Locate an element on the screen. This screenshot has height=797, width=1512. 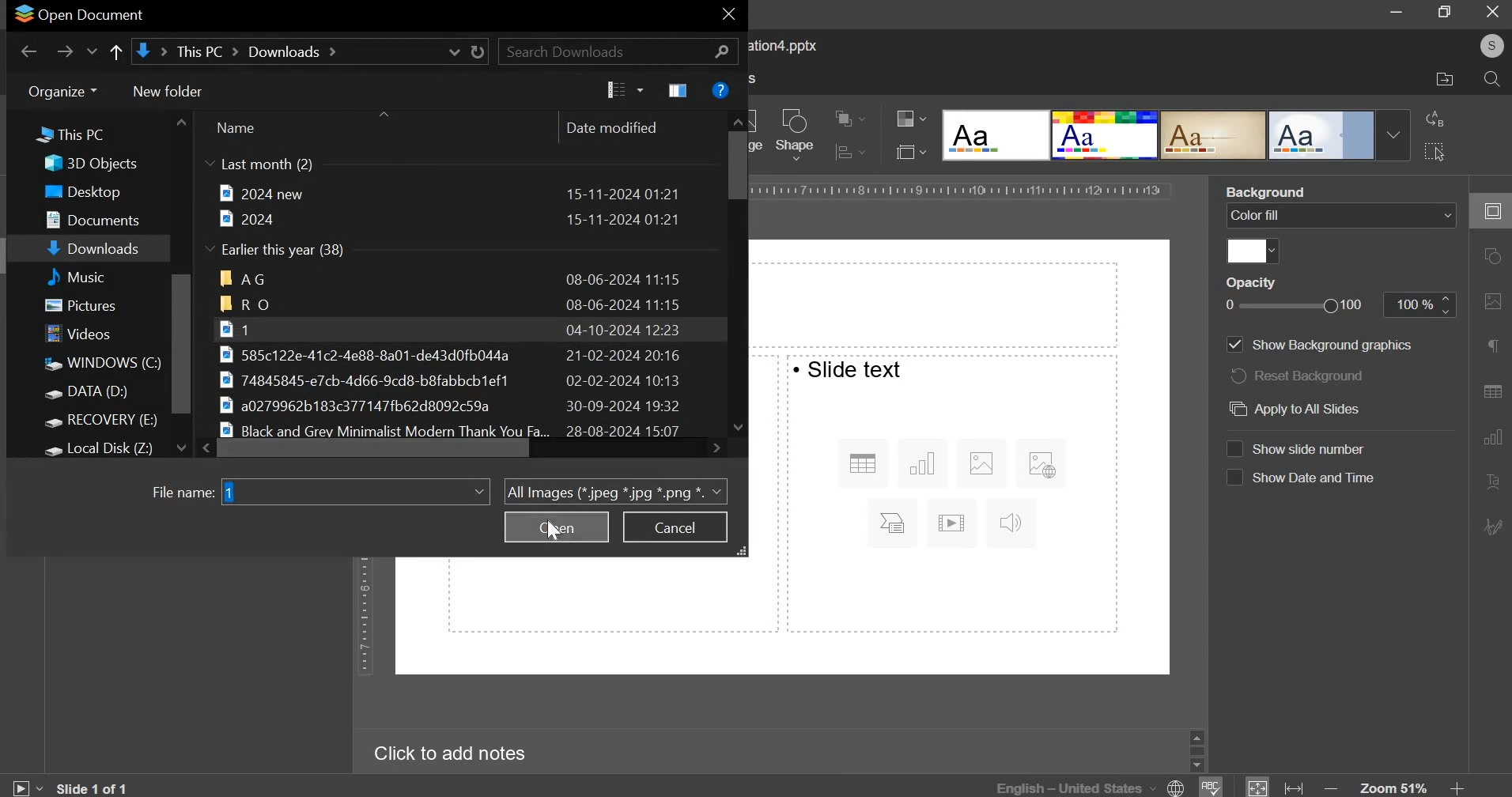
image file is located at coordinates (444, 328).